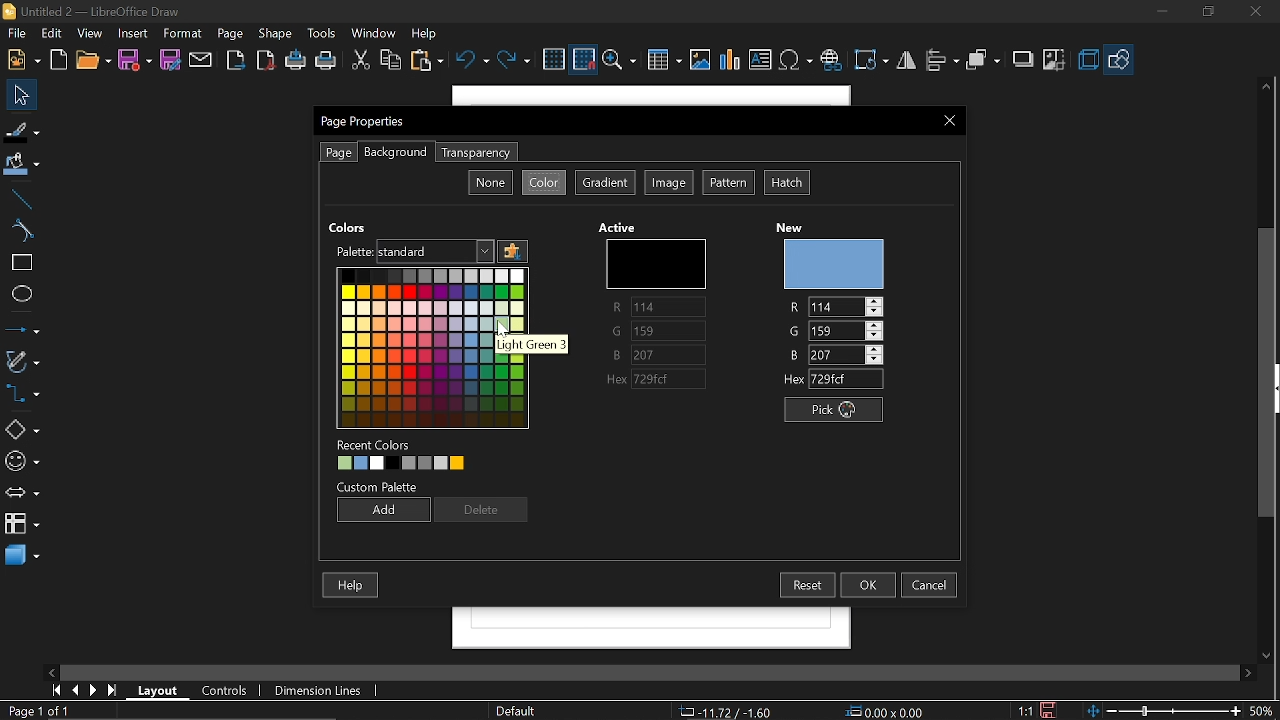 This screenshot has height=720, width=1280. I want to click on Crop, so click(1054, 61).